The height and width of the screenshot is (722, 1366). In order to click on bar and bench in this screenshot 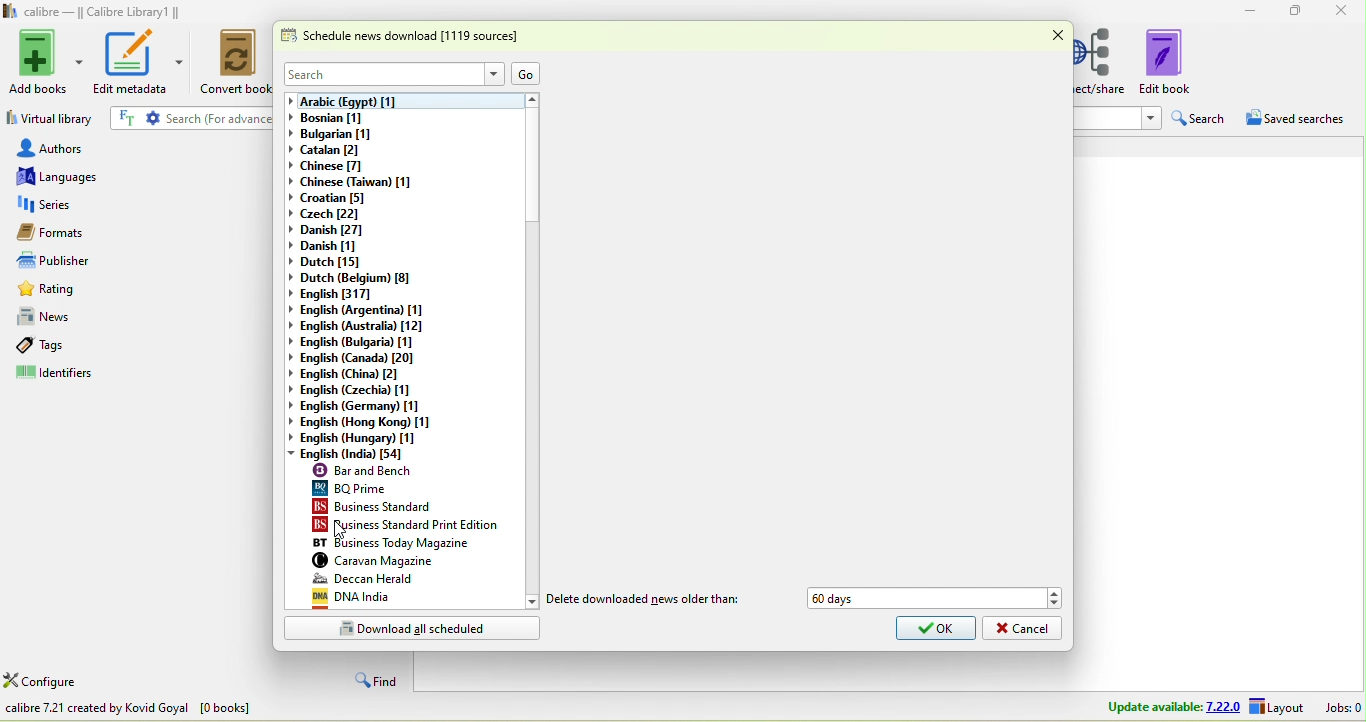, I will do `click(408, 470)`.